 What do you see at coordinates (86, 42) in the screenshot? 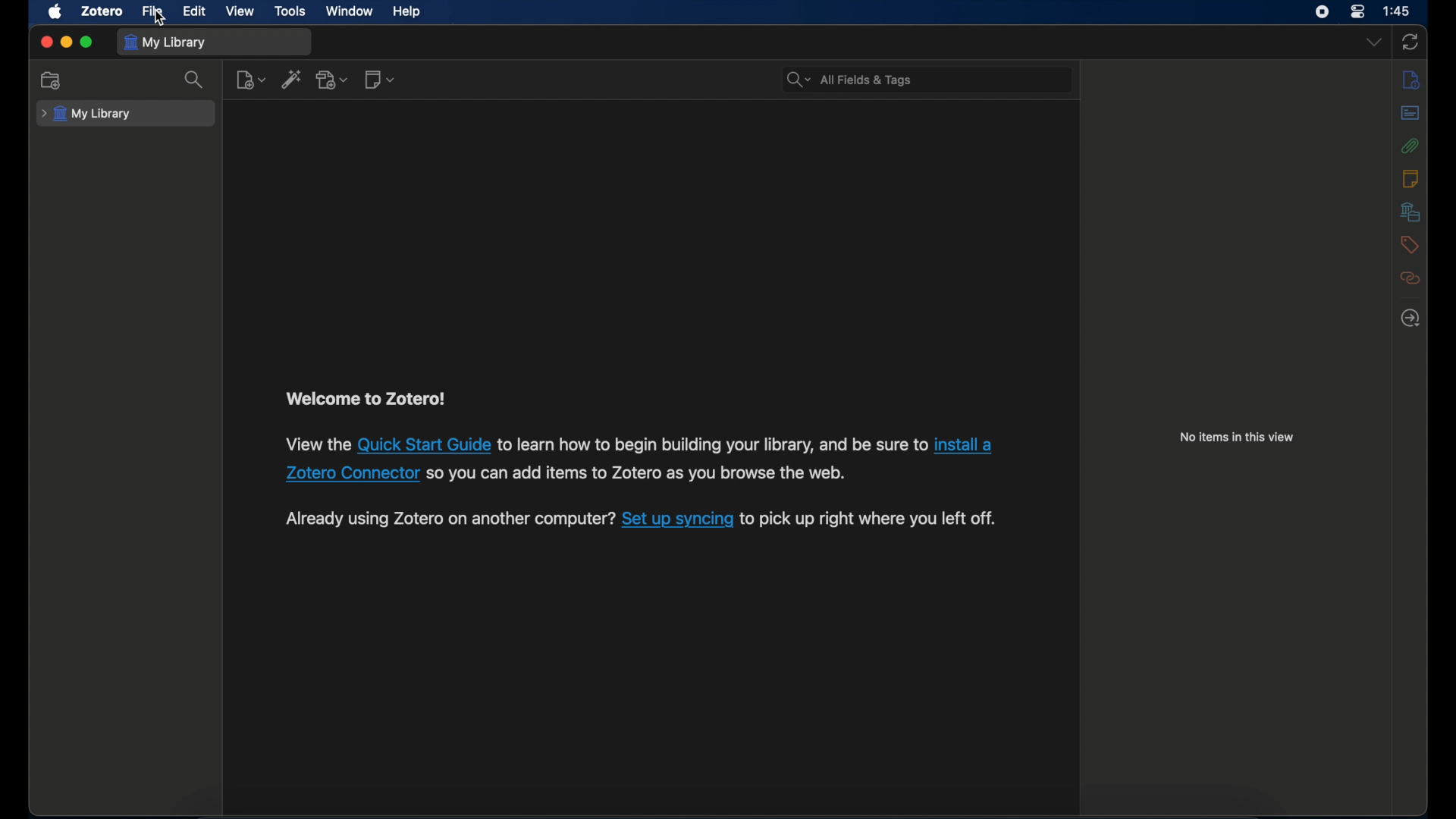
I see `maximize` at bounding box center [86, 42].